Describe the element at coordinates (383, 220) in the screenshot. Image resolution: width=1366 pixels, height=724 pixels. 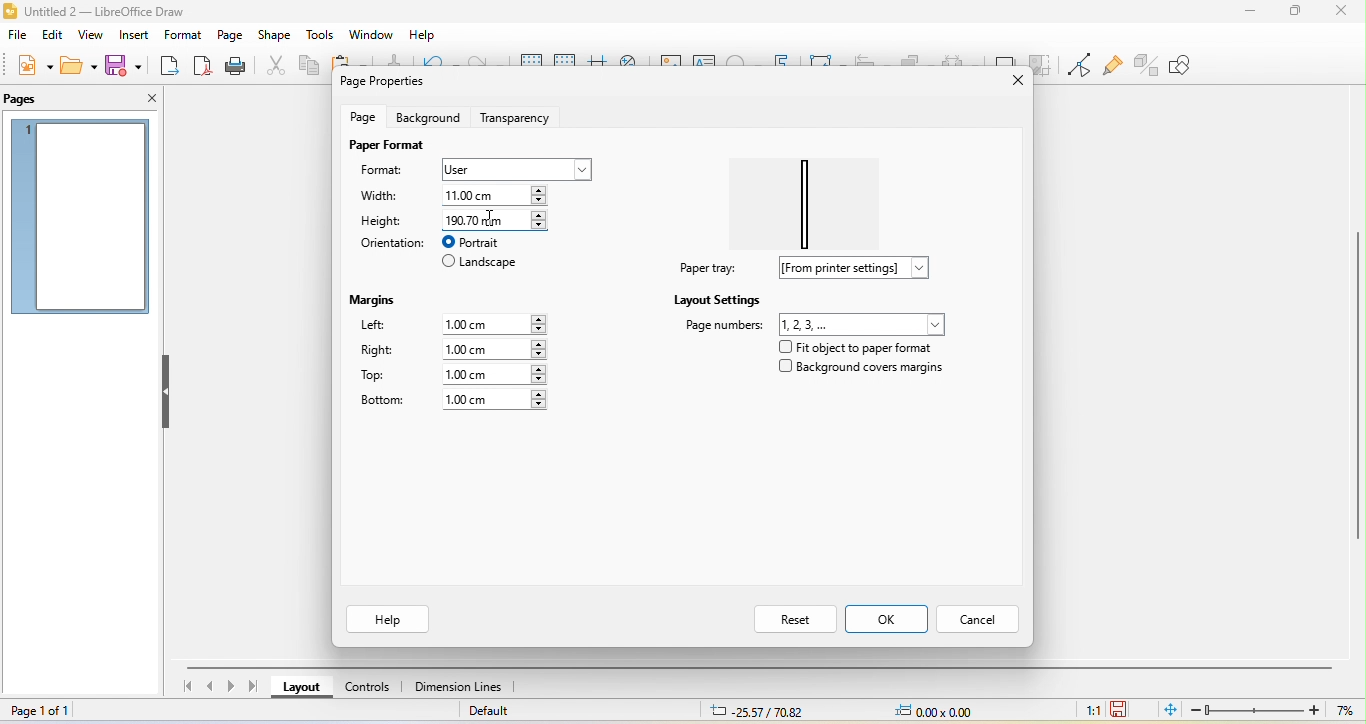
I see `height` at that location.